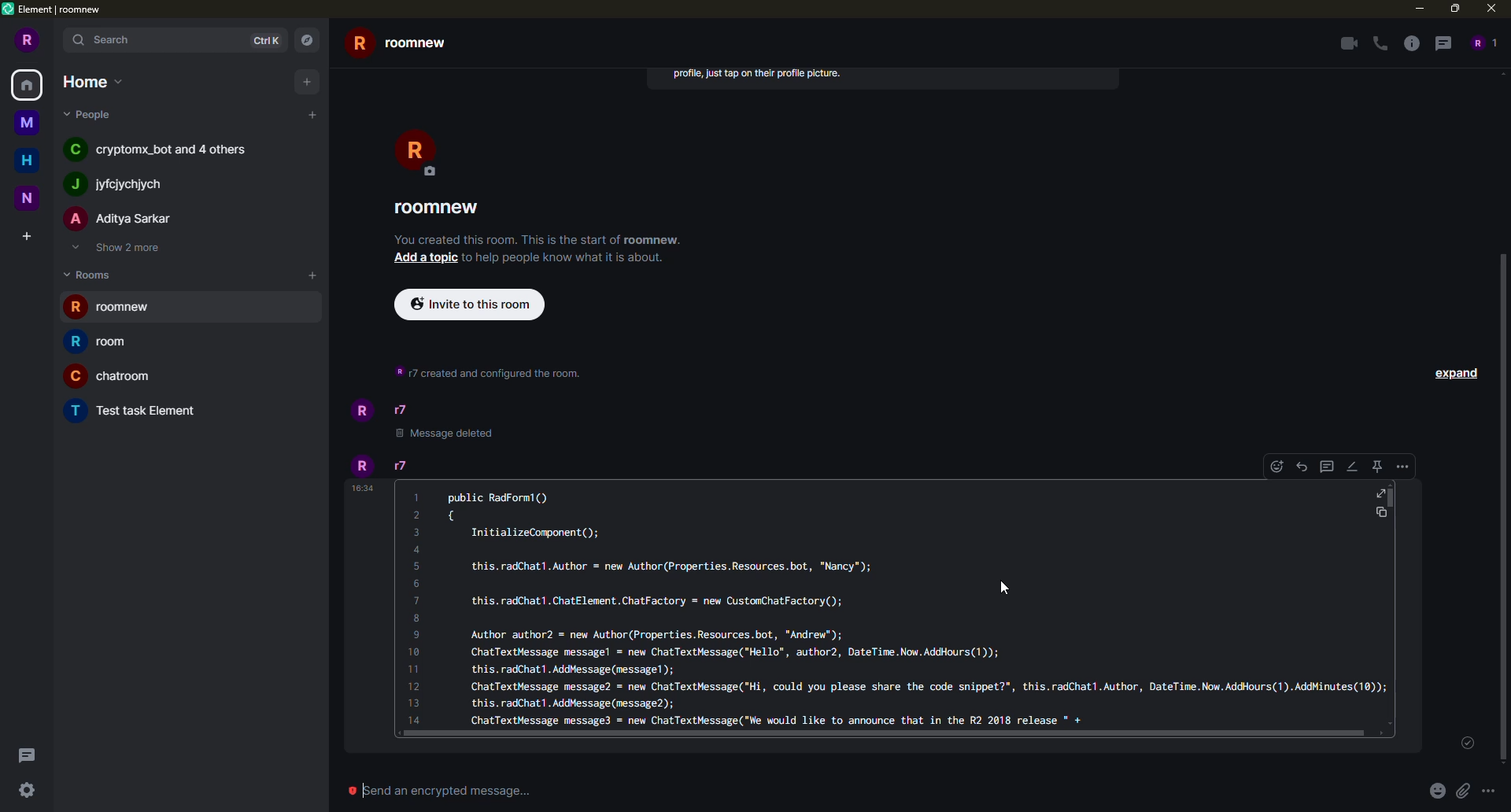 The width and height of the screenshot is (1511, 812). I want to click on rooms, so click(87, 275).